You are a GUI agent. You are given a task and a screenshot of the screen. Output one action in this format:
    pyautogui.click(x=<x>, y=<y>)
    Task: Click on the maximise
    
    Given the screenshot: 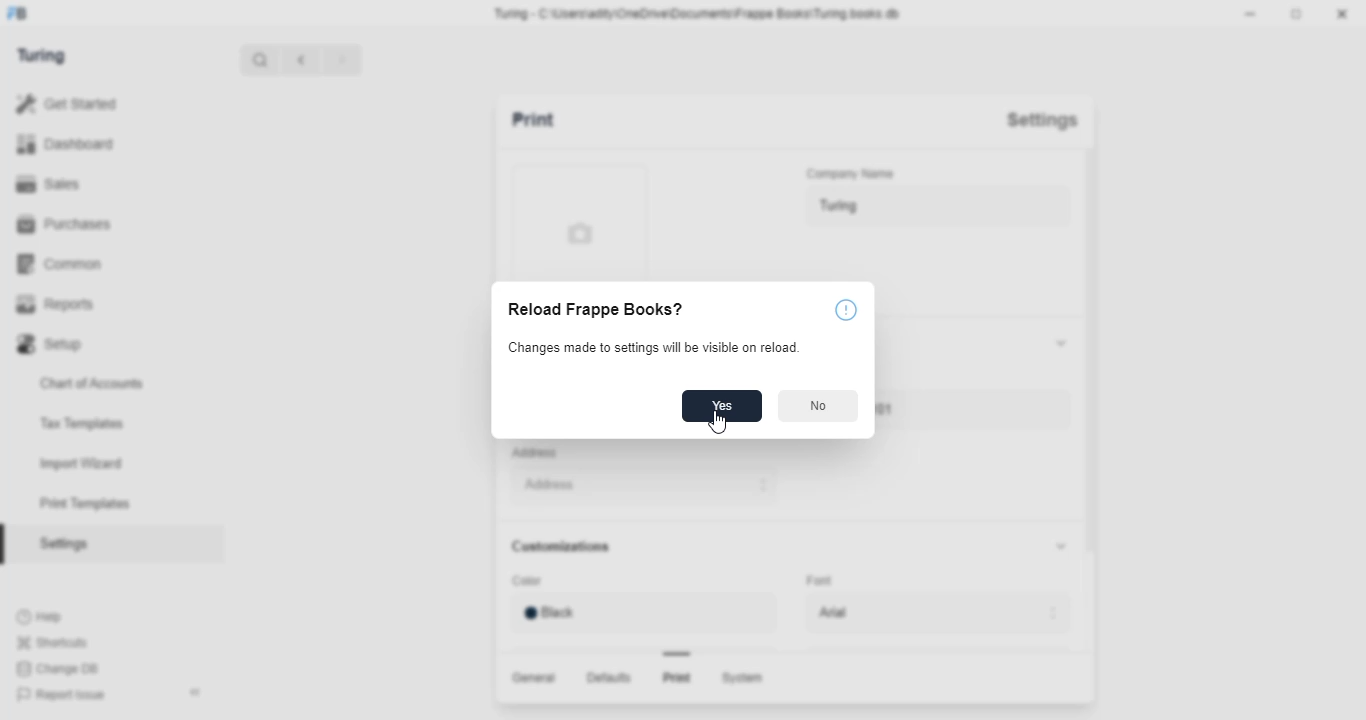 What is the action you would take?
    pyautogui.click(x=1299, y=14)
    